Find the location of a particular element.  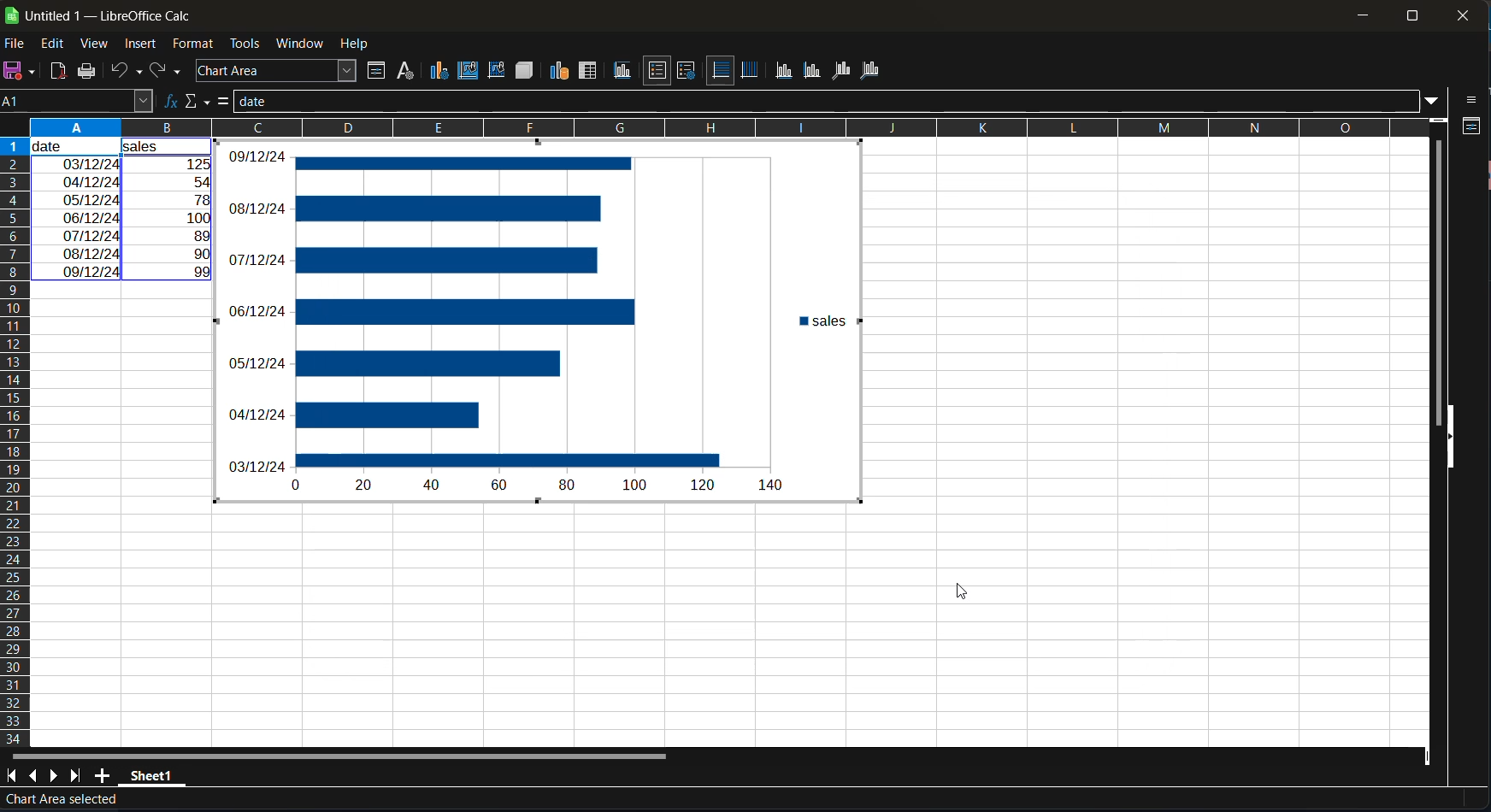

save is located at coordinates (22, 71).